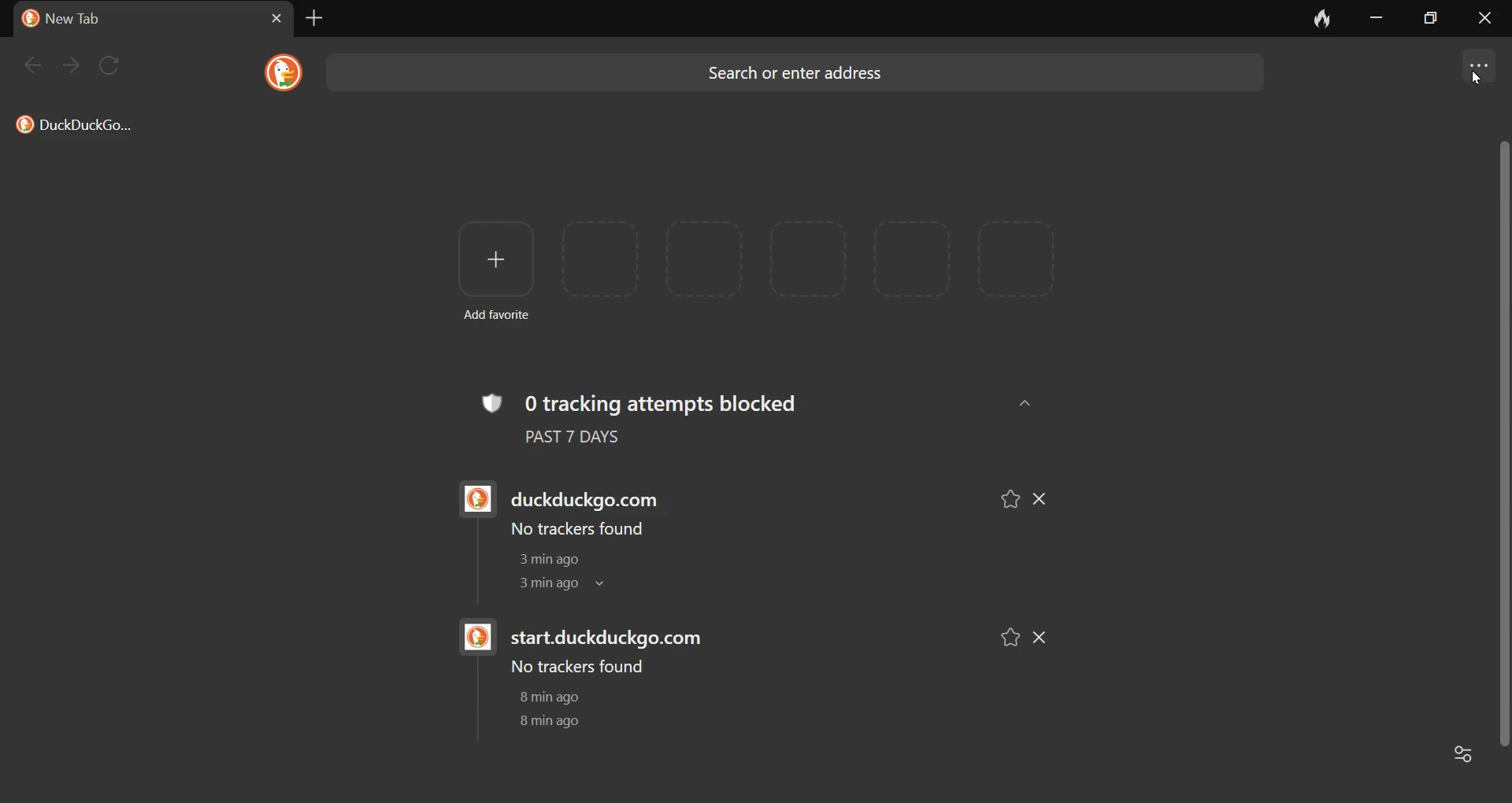 The height and width of the screenshot is (803, 1512). Describe the element at coordinates (1478, 62) in the screenshot. I see `menu` at that location.